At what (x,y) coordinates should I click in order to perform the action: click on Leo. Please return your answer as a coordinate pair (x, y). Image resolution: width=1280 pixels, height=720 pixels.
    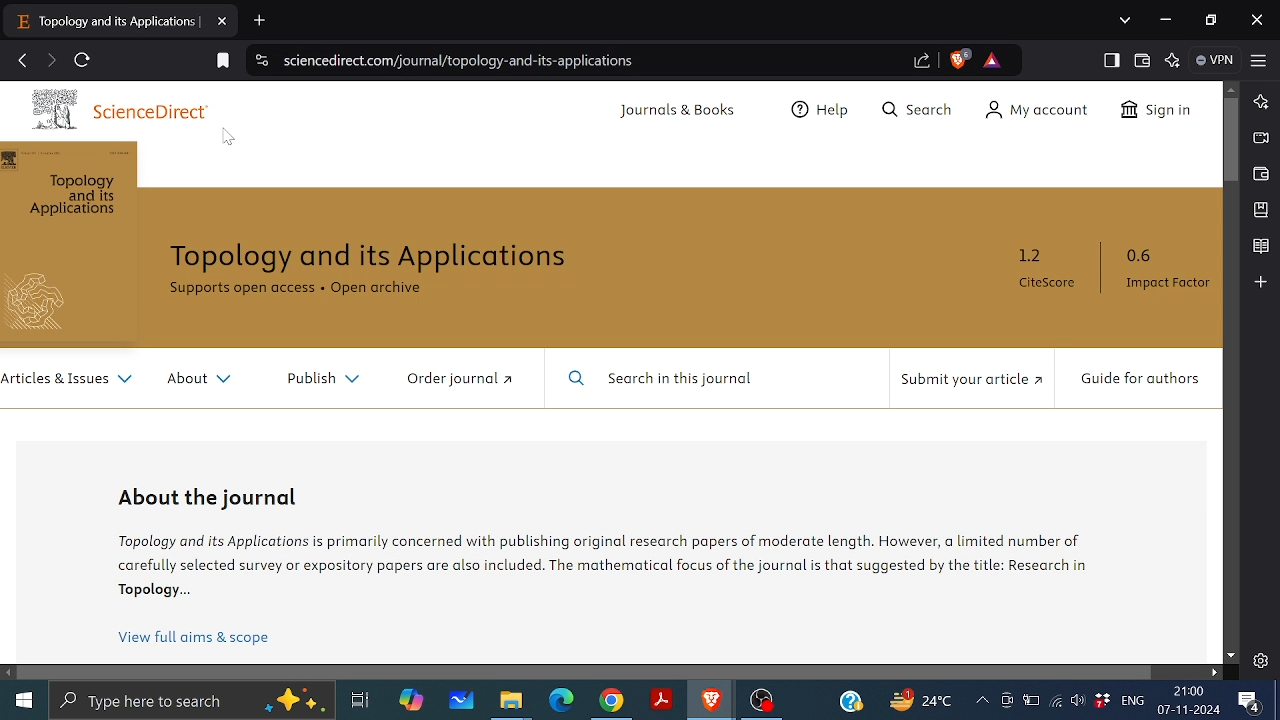
    Looking at the image, I should click on (1260, 102).